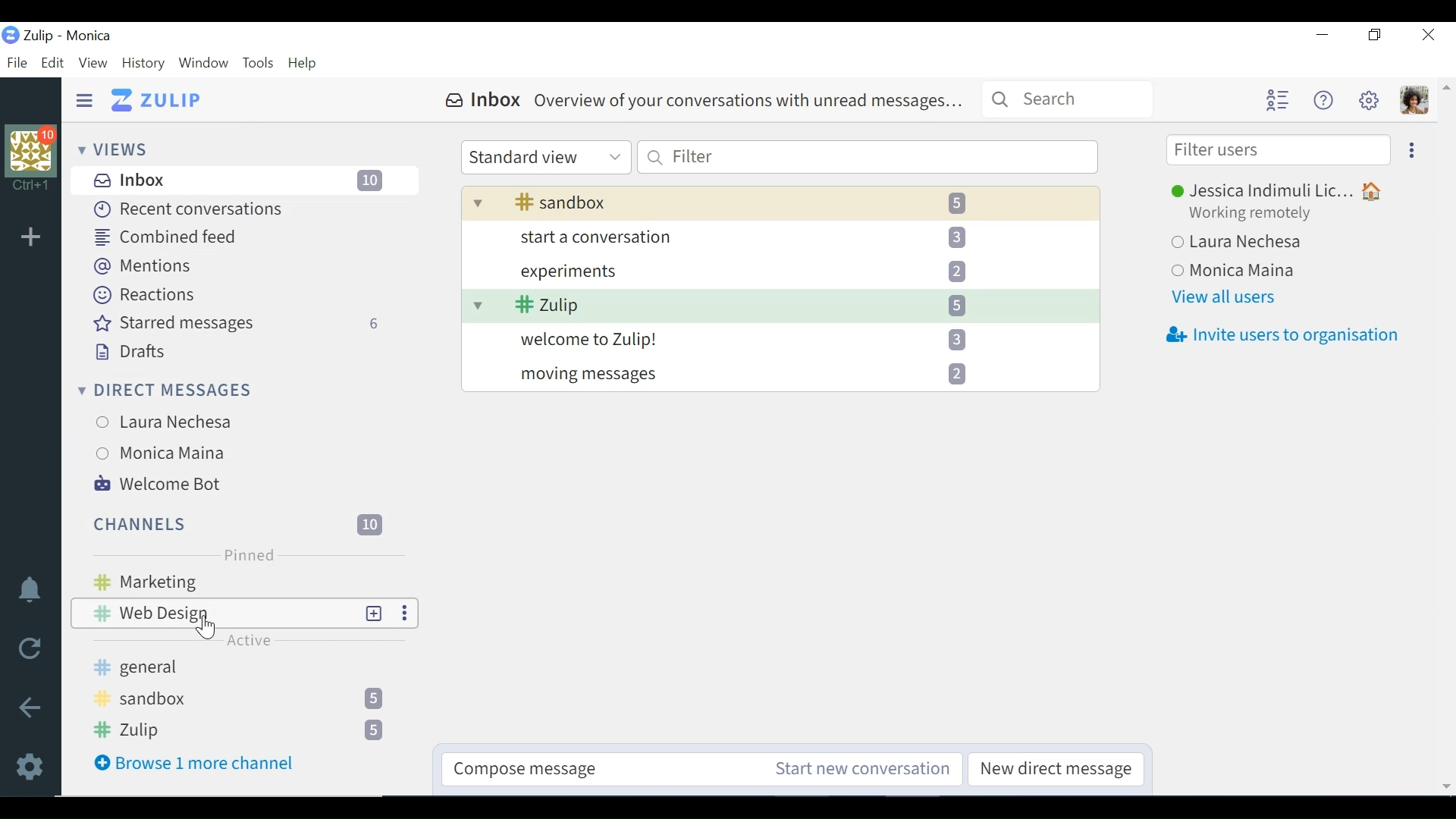  Describe the element at coordinates (143, 63) in the screenshot. I see `History` at that location.